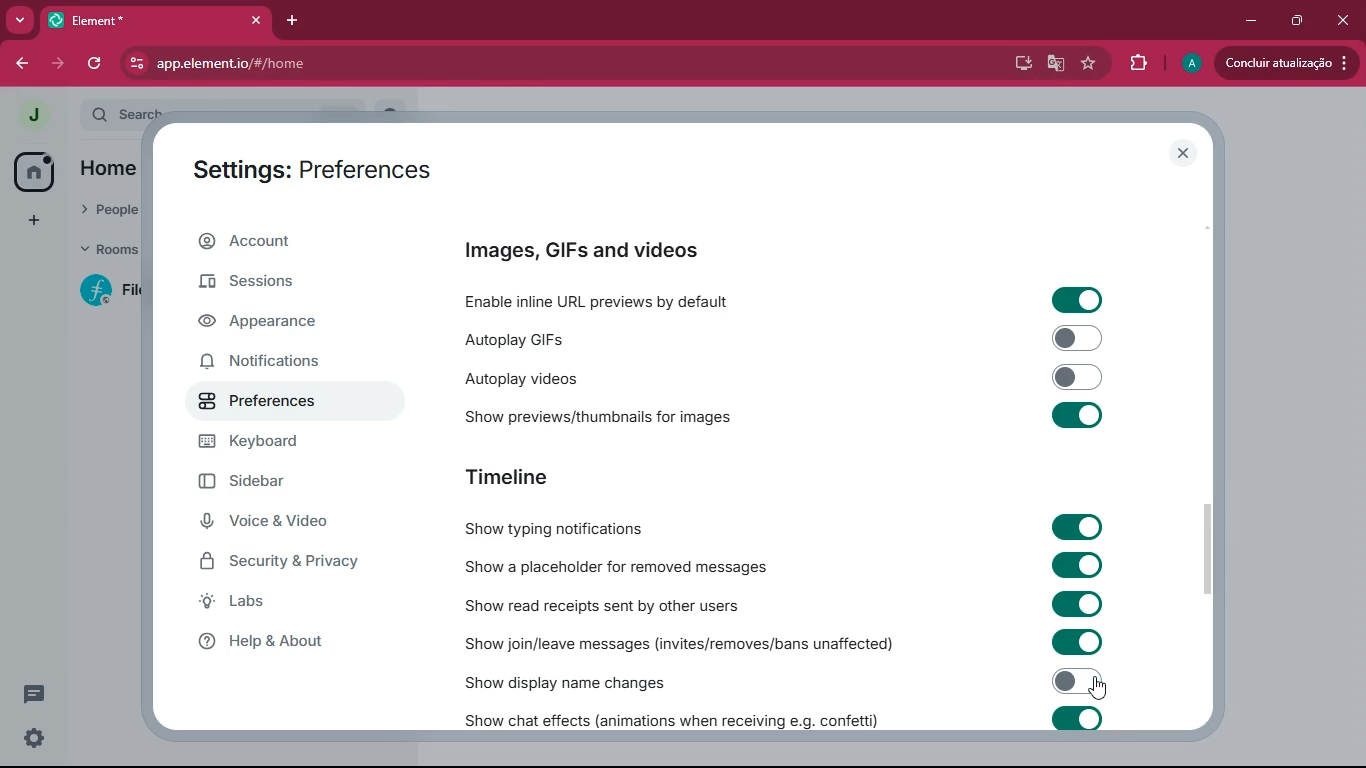 Image resolution: width=1366 pixels, height=768 pixels. Describe the element at coordinates (1077, 603) in the screenshot. I see `toggle on/off` at that location.